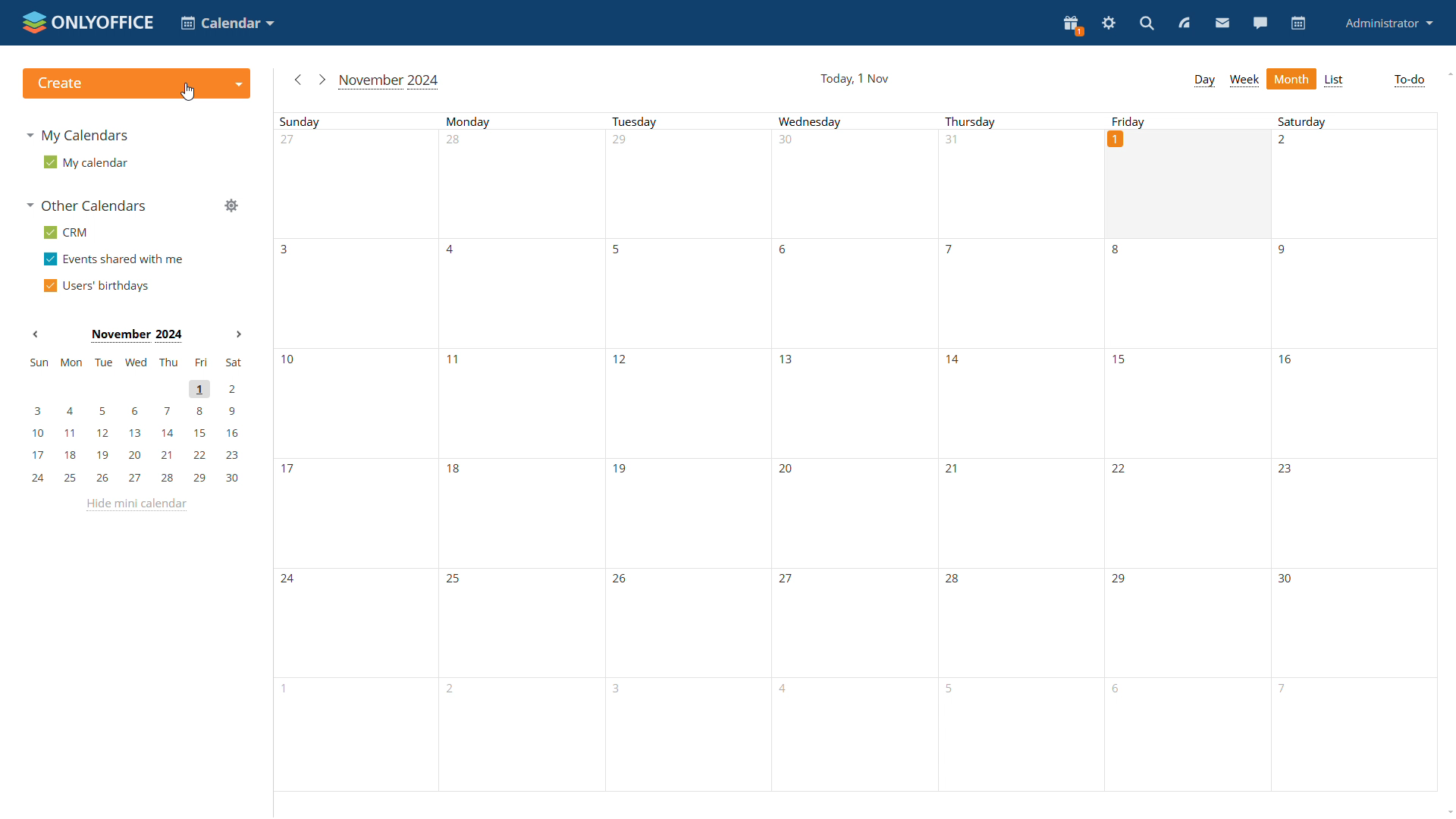 This screenshot has height=819, width=1456. Describe the element at coordinates (1409, 80) in the screenshot. I see `to-do` at that location.